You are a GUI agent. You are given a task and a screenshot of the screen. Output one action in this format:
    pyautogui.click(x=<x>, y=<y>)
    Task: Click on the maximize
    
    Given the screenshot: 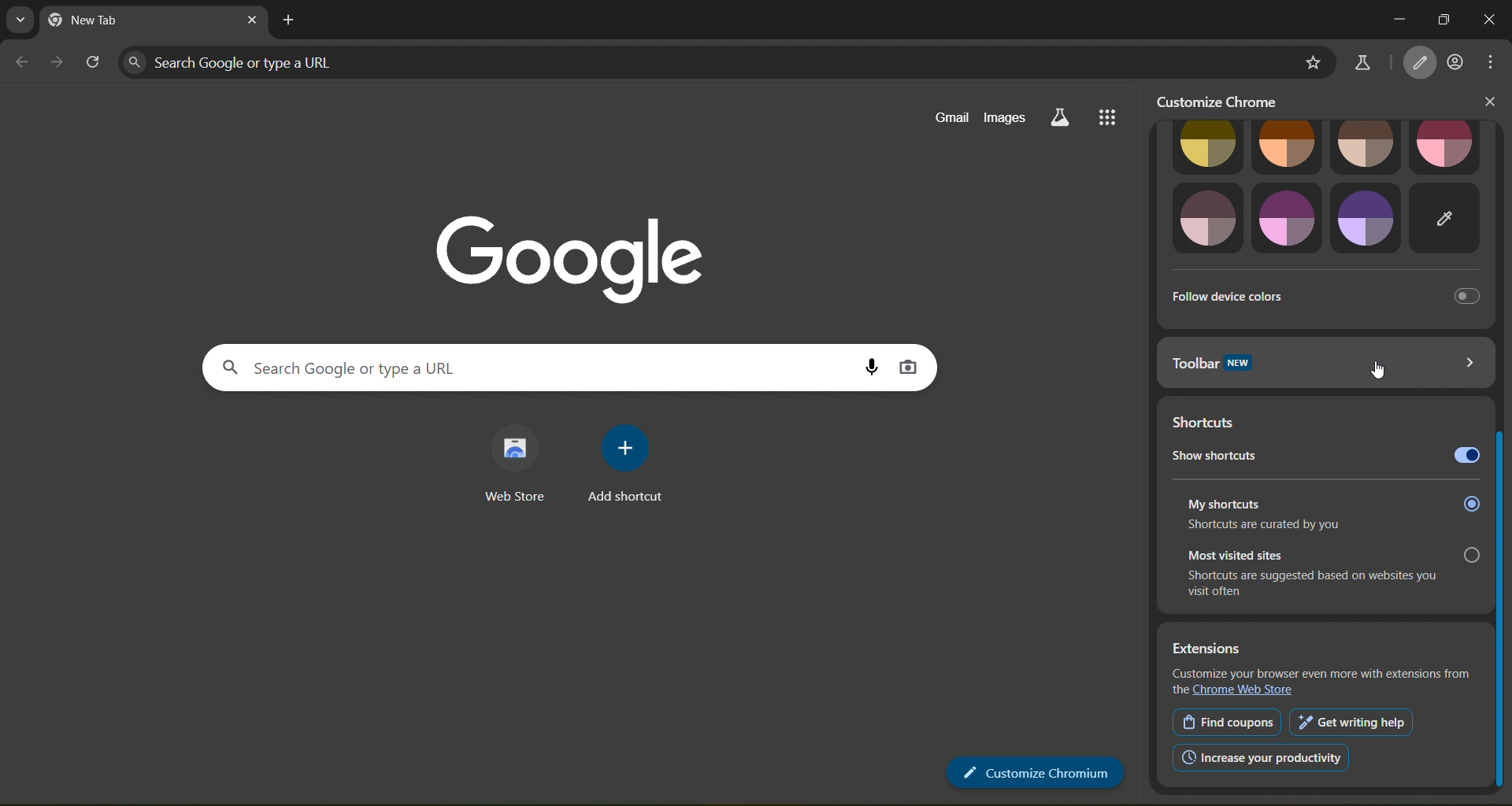 What is the action you would take?
    pyautogui.click(x=1443, y=20)
    